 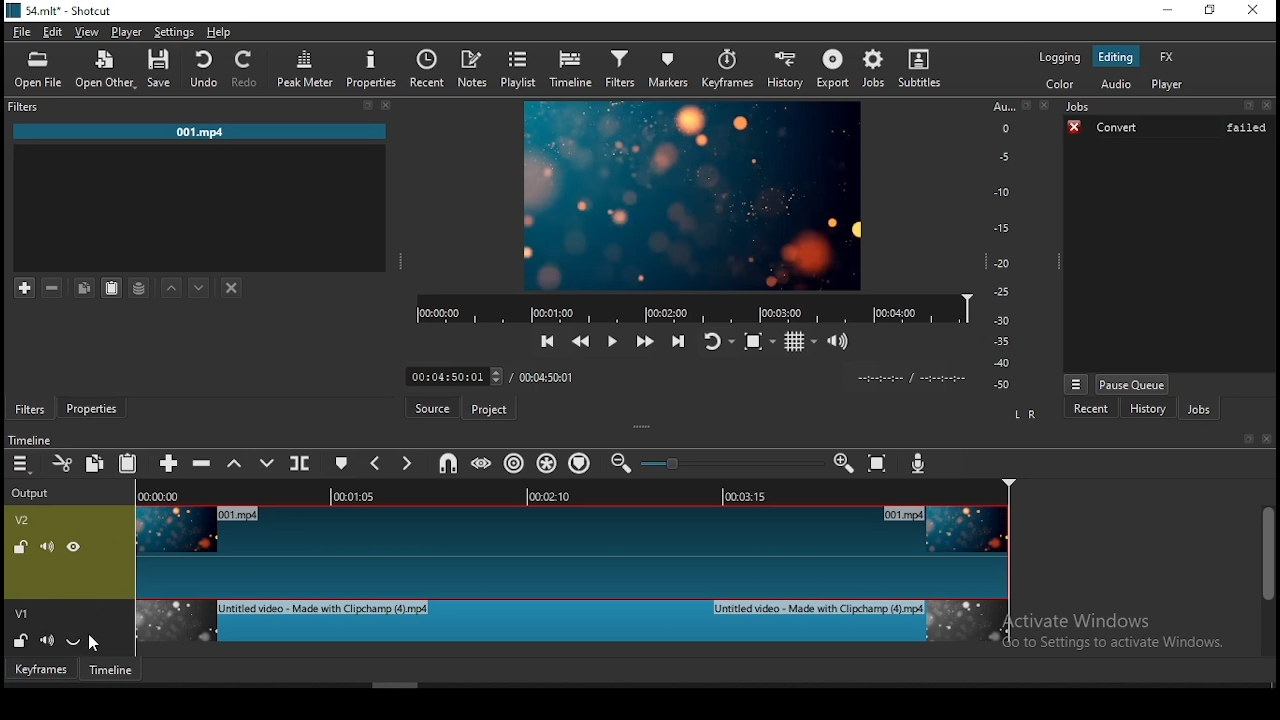 What do you see at coordinates (1250, 439) in the screenshot?
I see `bookmark` at bounding box center [1250, 439].